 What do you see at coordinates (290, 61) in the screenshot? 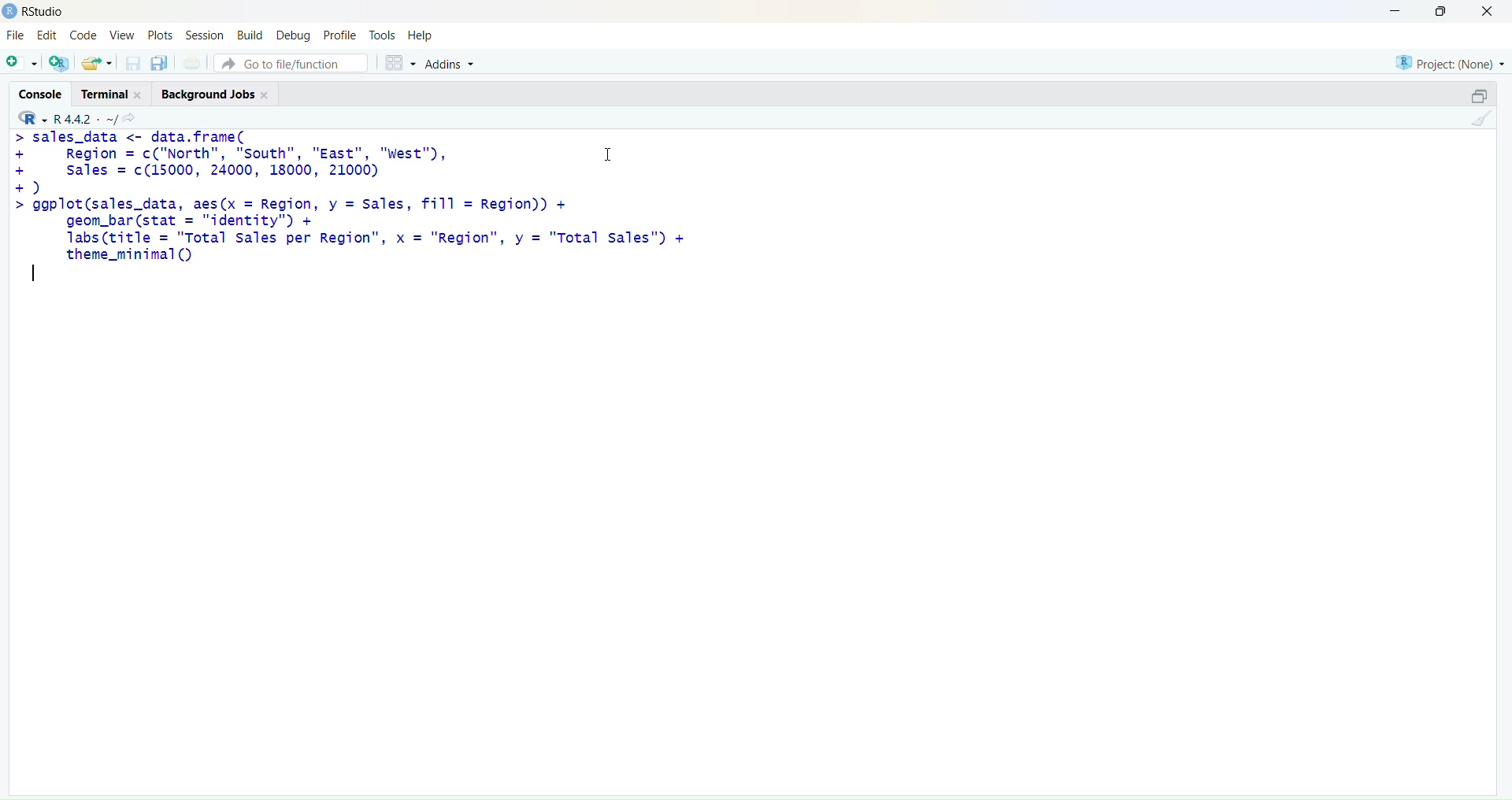
I see `Go to file/function` at bounding box center [290, 61].